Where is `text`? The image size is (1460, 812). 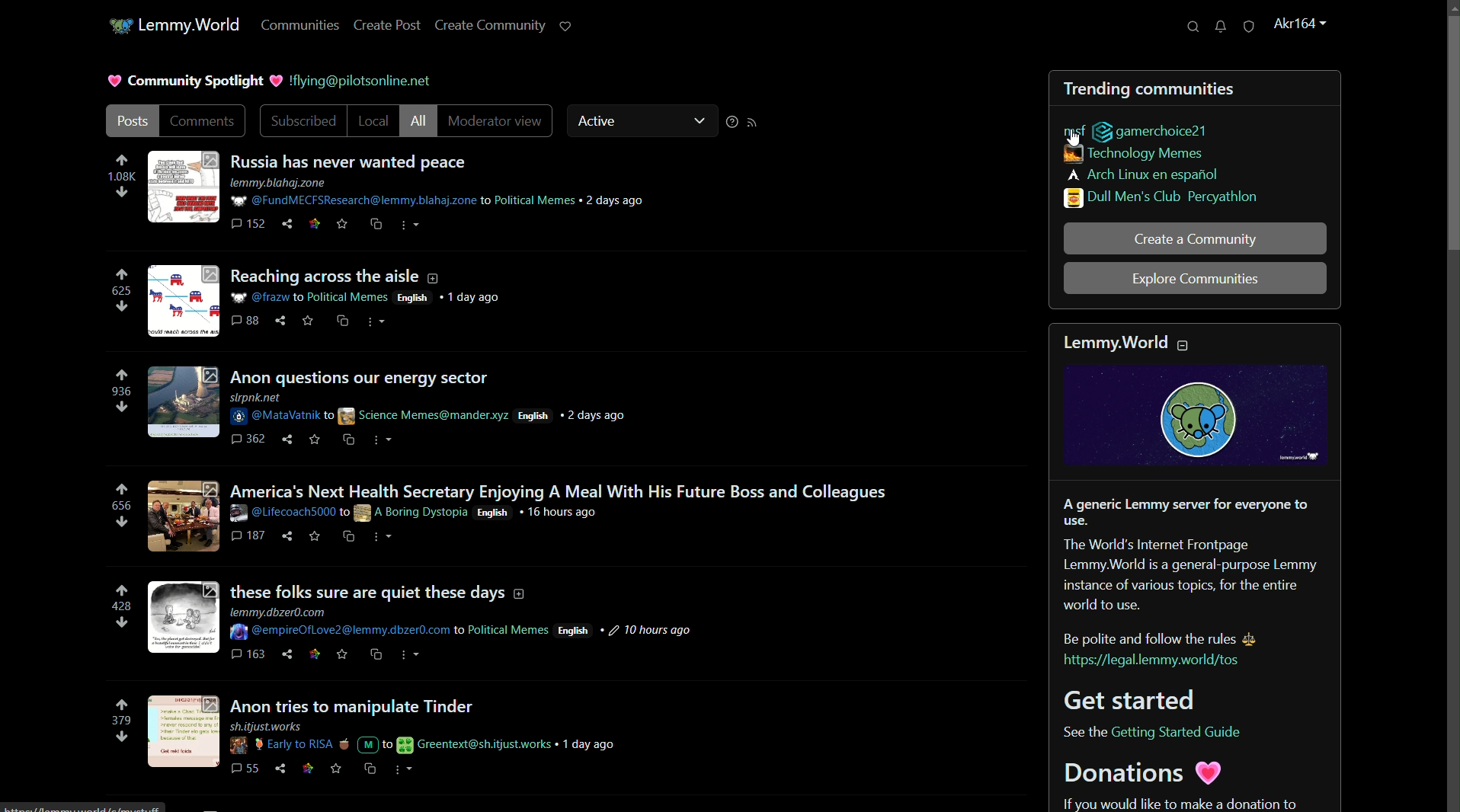 text is located at coordinates (1145, 730).